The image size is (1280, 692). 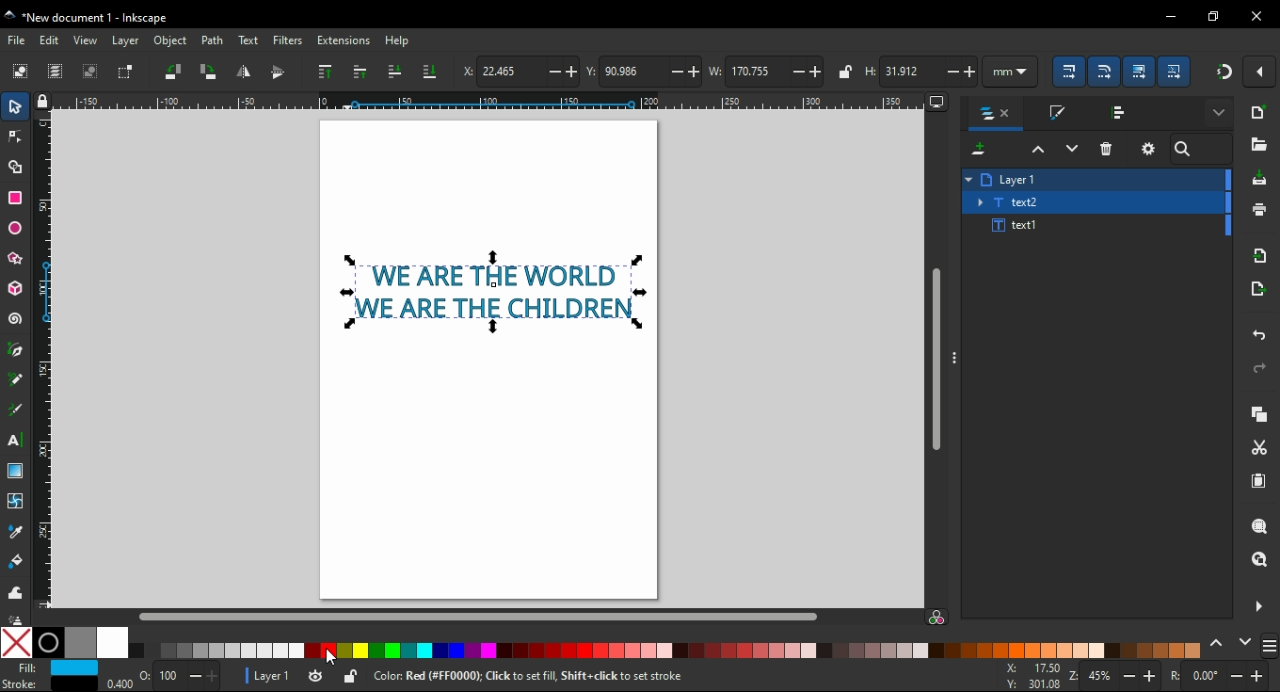 What do you see at coordinates (1011, 71) in the screenshot?
I see `units` at bounding box center [1011, 71].